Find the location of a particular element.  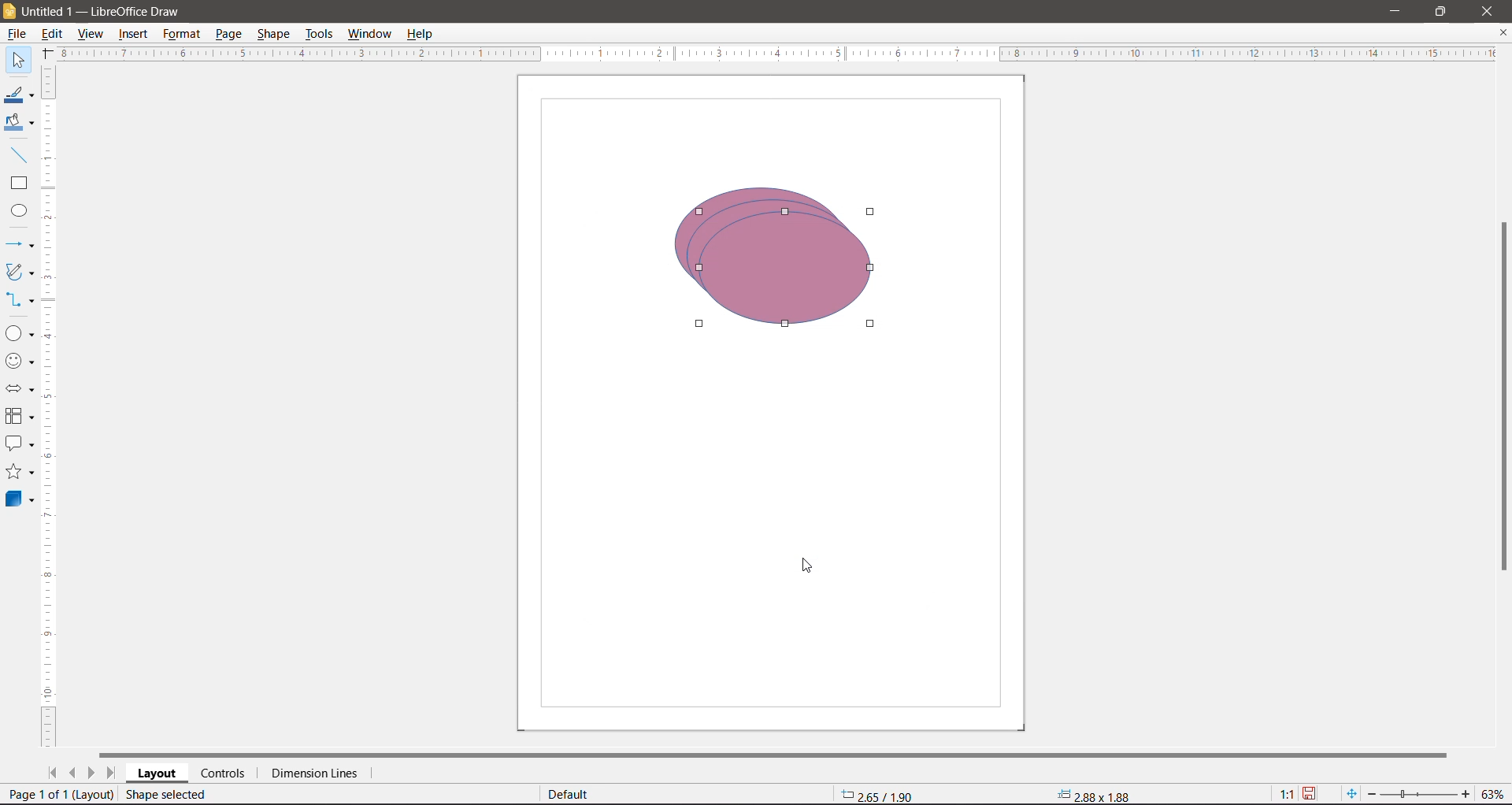

Window is located at coordinates (371, 34).